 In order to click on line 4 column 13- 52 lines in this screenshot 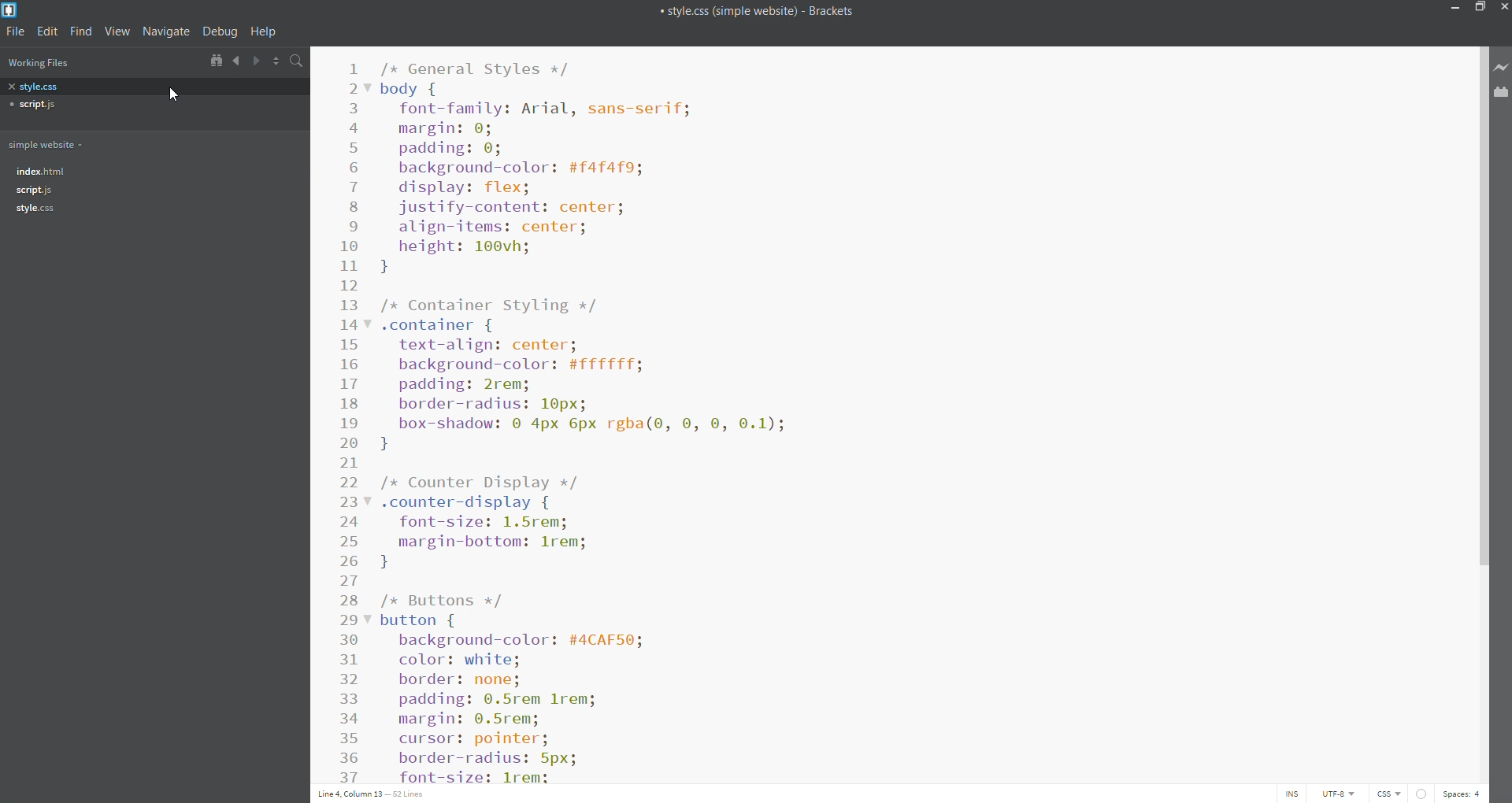, I will do `click(376, 793)`.